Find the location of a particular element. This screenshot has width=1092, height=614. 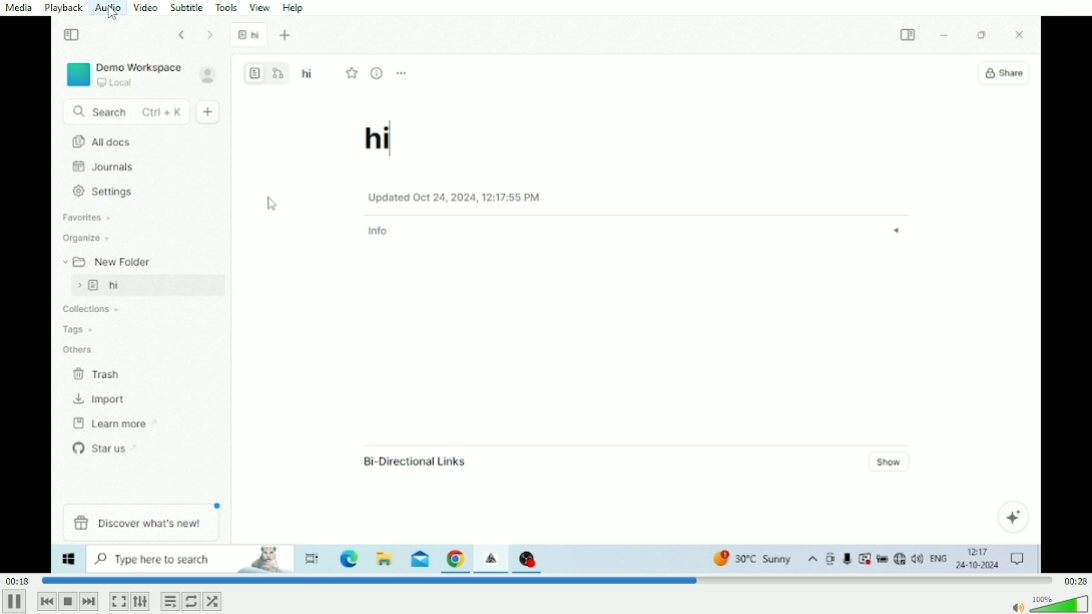

remaining time "00:28" is located at coordinates (1074, 580).